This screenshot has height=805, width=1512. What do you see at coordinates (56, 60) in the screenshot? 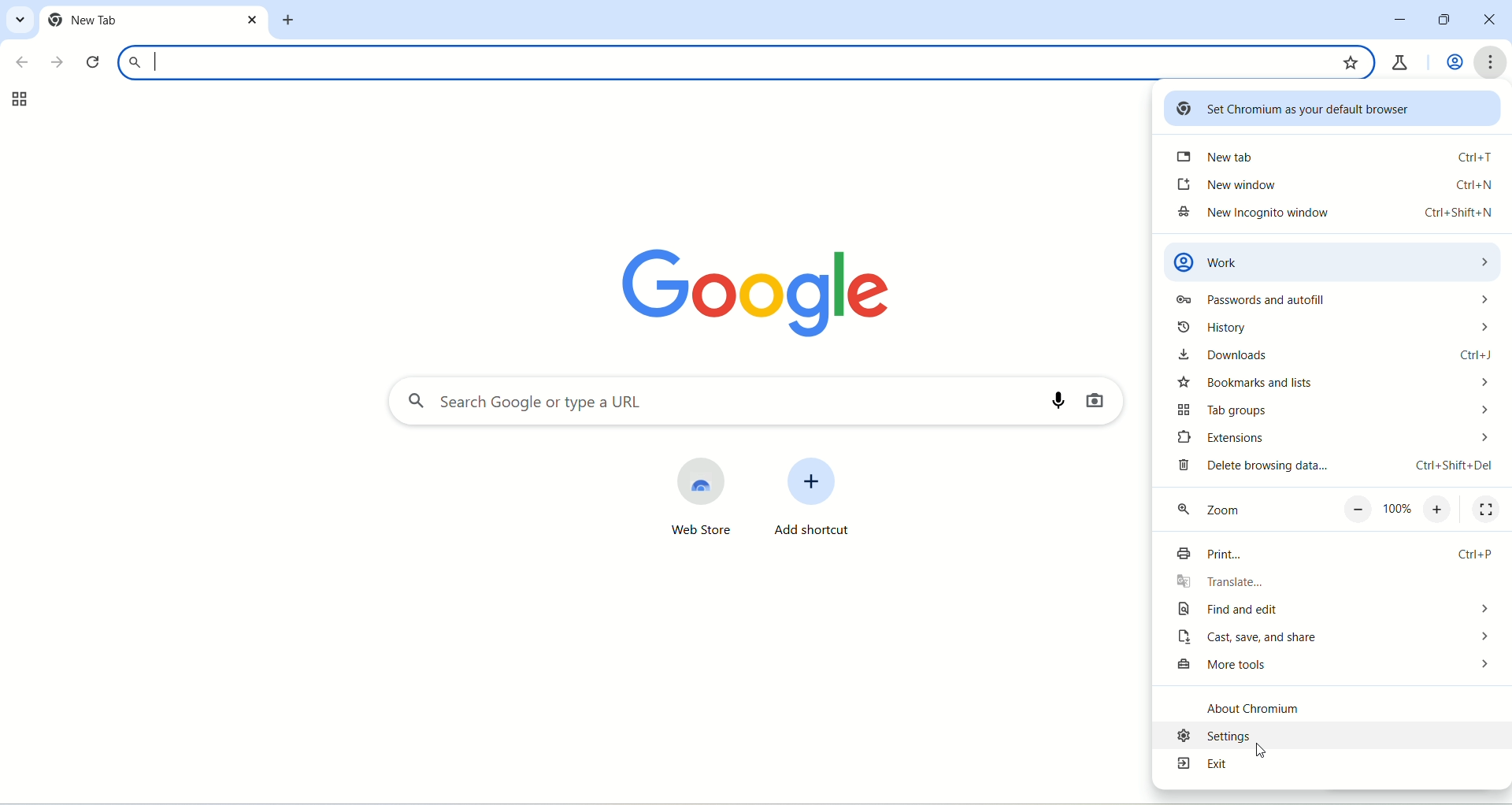
I see `go forward` at bounding box center [56, 60].